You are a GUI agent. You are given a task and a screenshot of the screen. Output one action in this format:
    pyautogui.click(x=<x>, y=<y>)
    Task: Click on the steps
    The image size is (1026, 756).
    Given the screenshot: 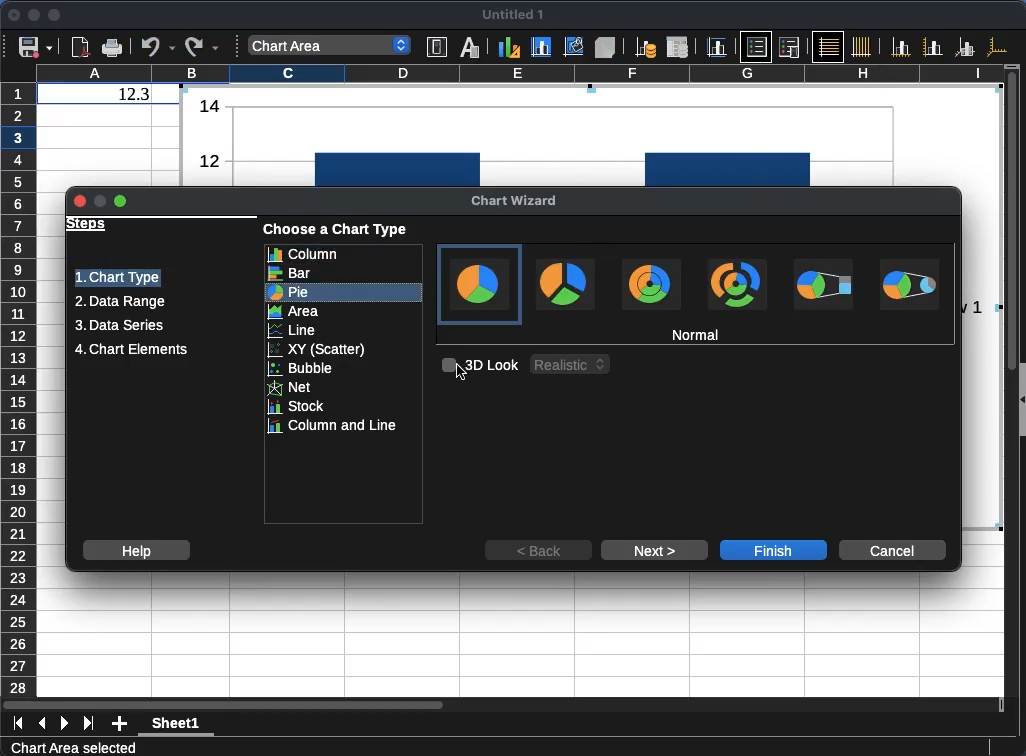 What is the action you would take?
    pyautogui.click(x=87, y=225)
    